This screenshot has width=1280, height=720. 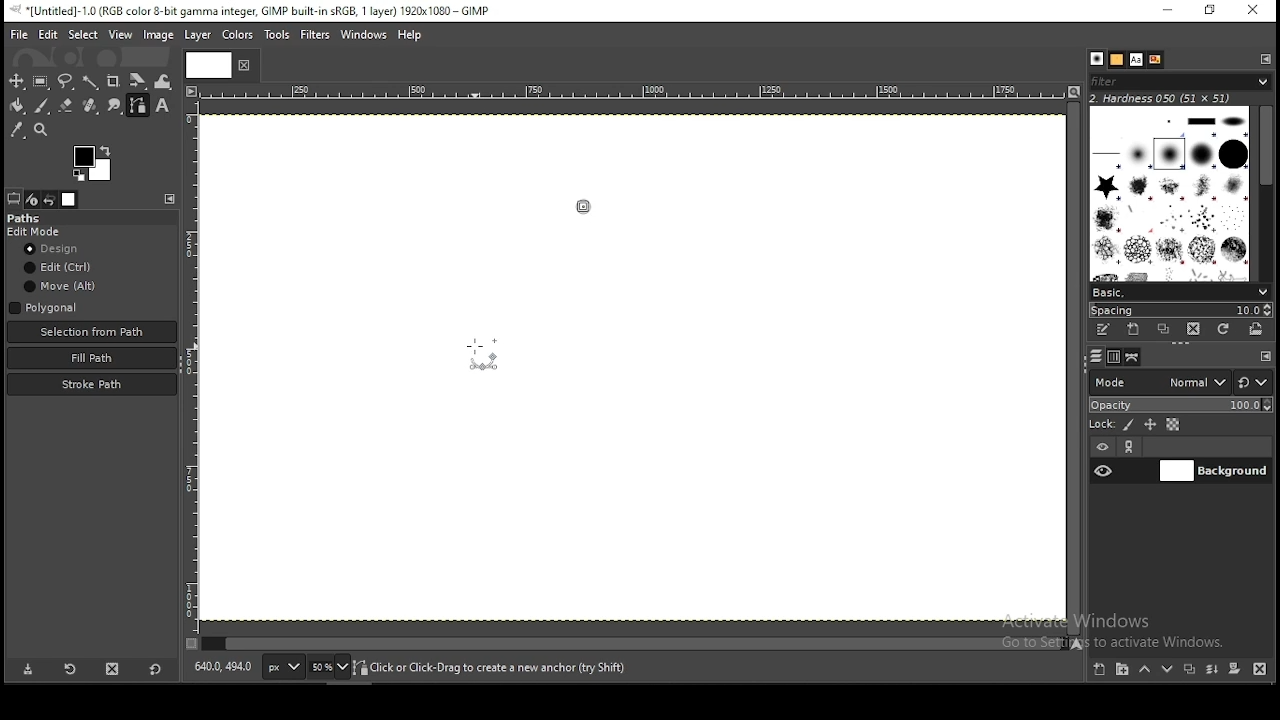 I want to click on lock alpha channel, so click(x=1174, y=424).